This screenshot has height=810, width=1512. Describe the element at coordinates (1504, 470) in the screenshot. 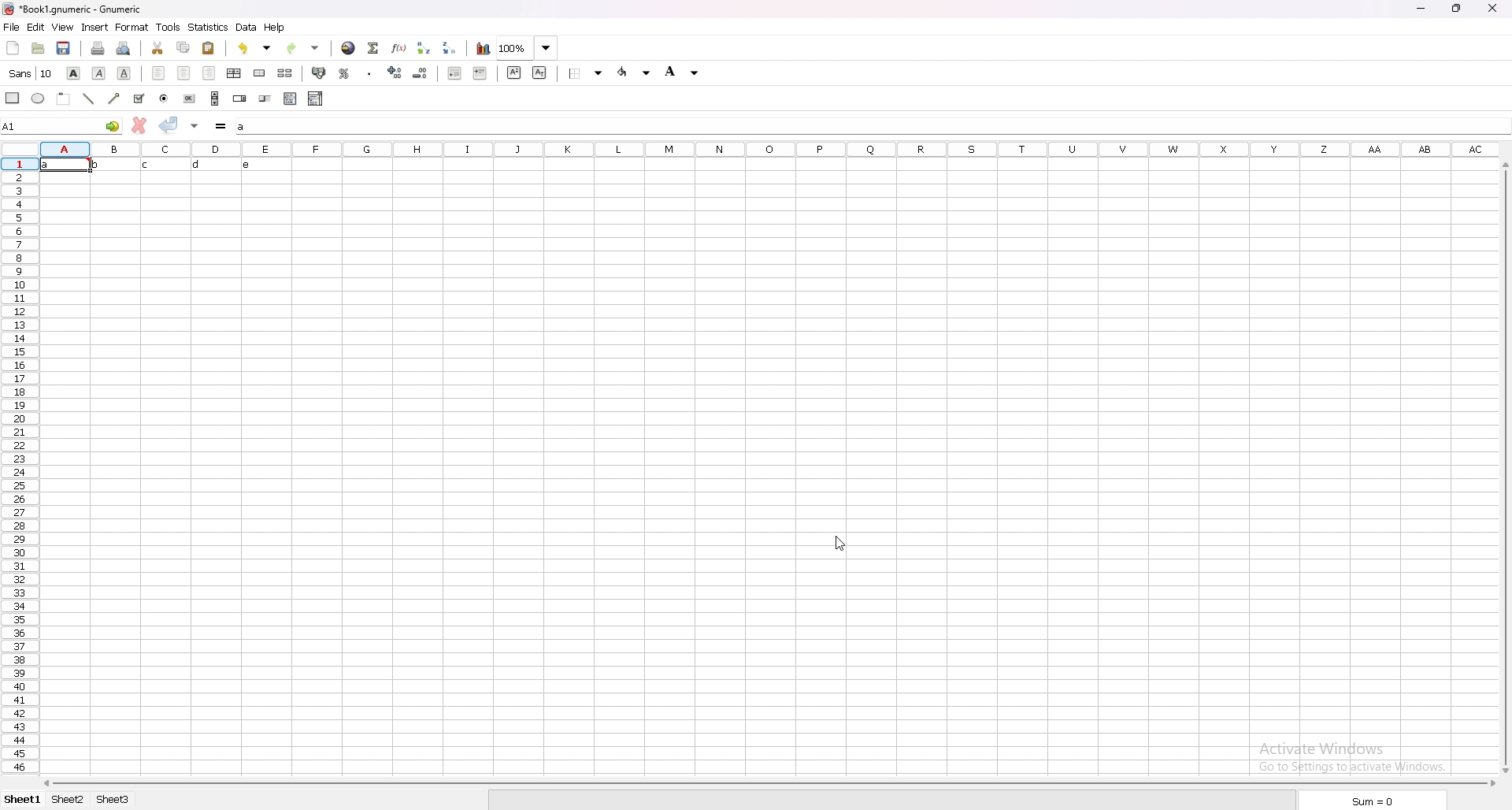

I see `scroll bar` at that location.